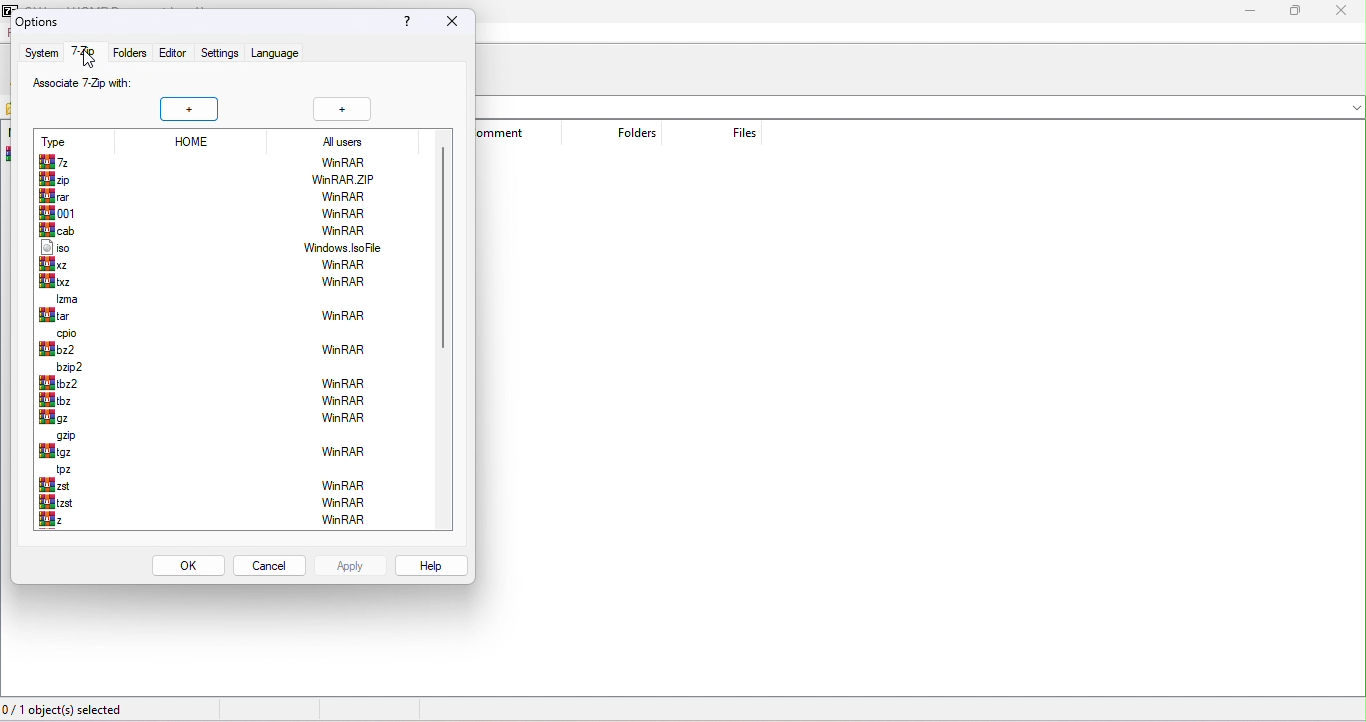 Image resolution: width=1366 pixels, height=722 pixels. Describe the element at coordinates (342, 110) in the screenshot. I see `+` at that location.